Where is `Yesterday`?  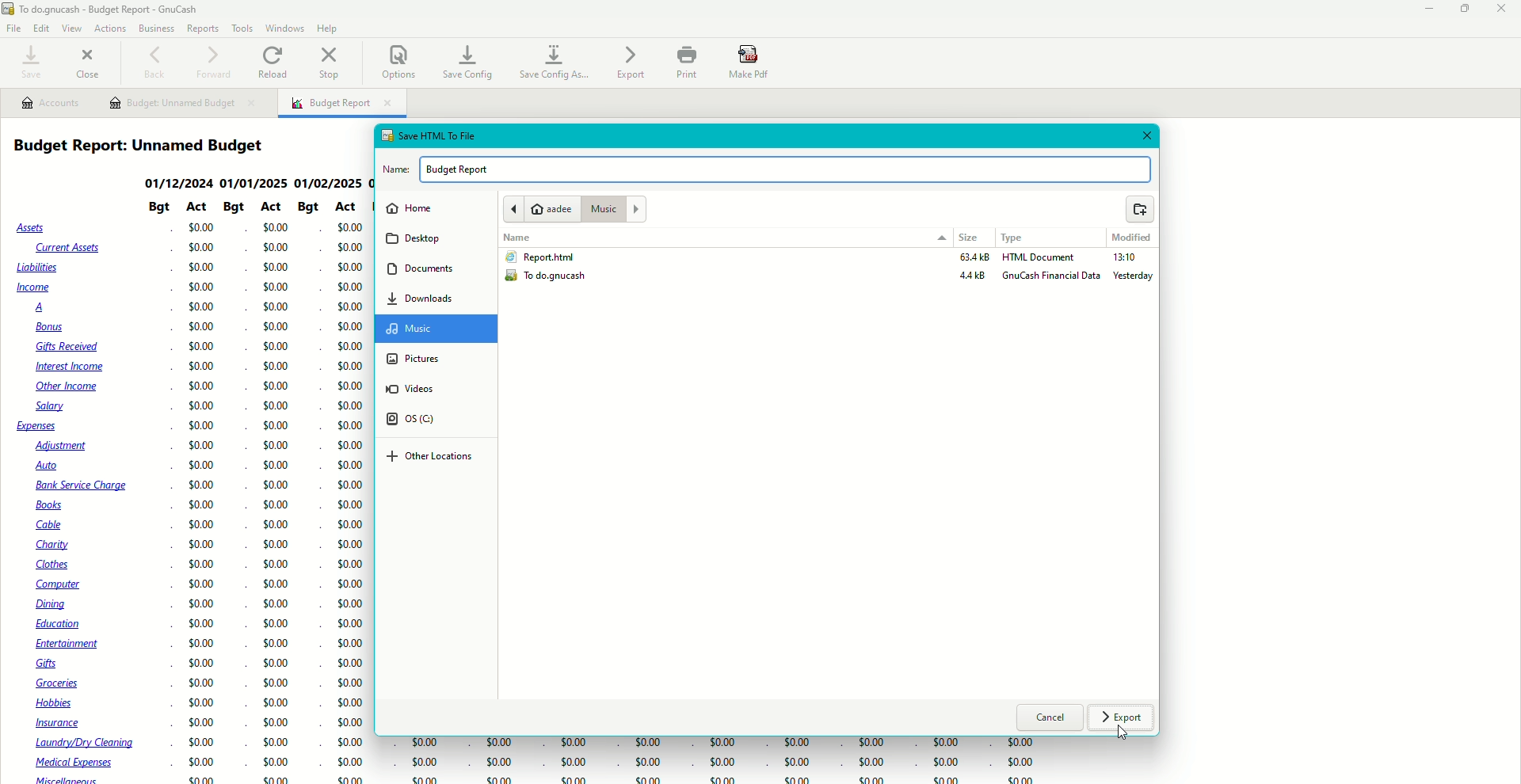 Yesterday is located at coordinates (1135, 277).